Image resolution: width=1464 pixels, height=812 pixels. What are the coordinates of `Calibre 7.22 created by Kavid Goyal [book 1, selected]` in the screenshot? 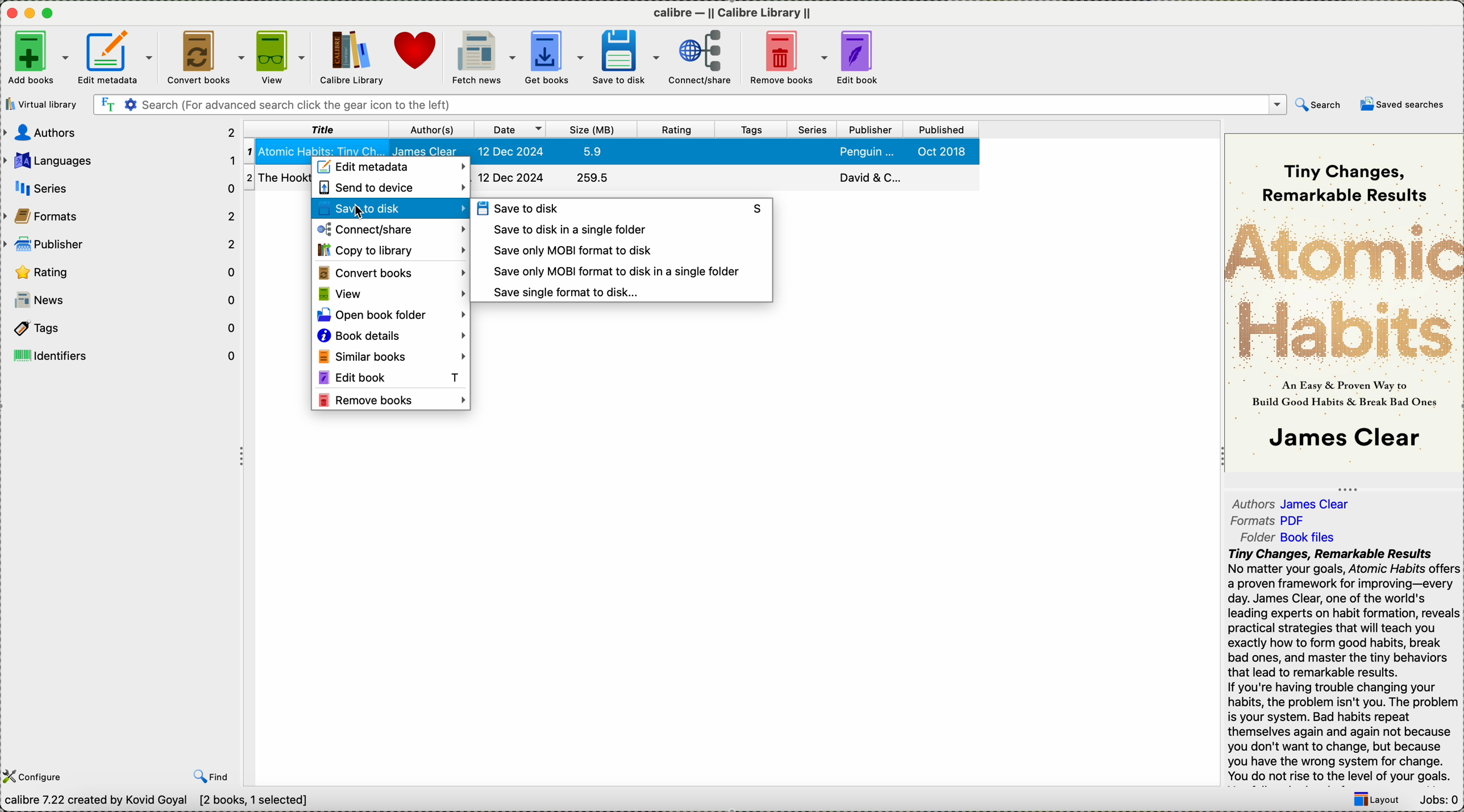 It's located at (164, 802).